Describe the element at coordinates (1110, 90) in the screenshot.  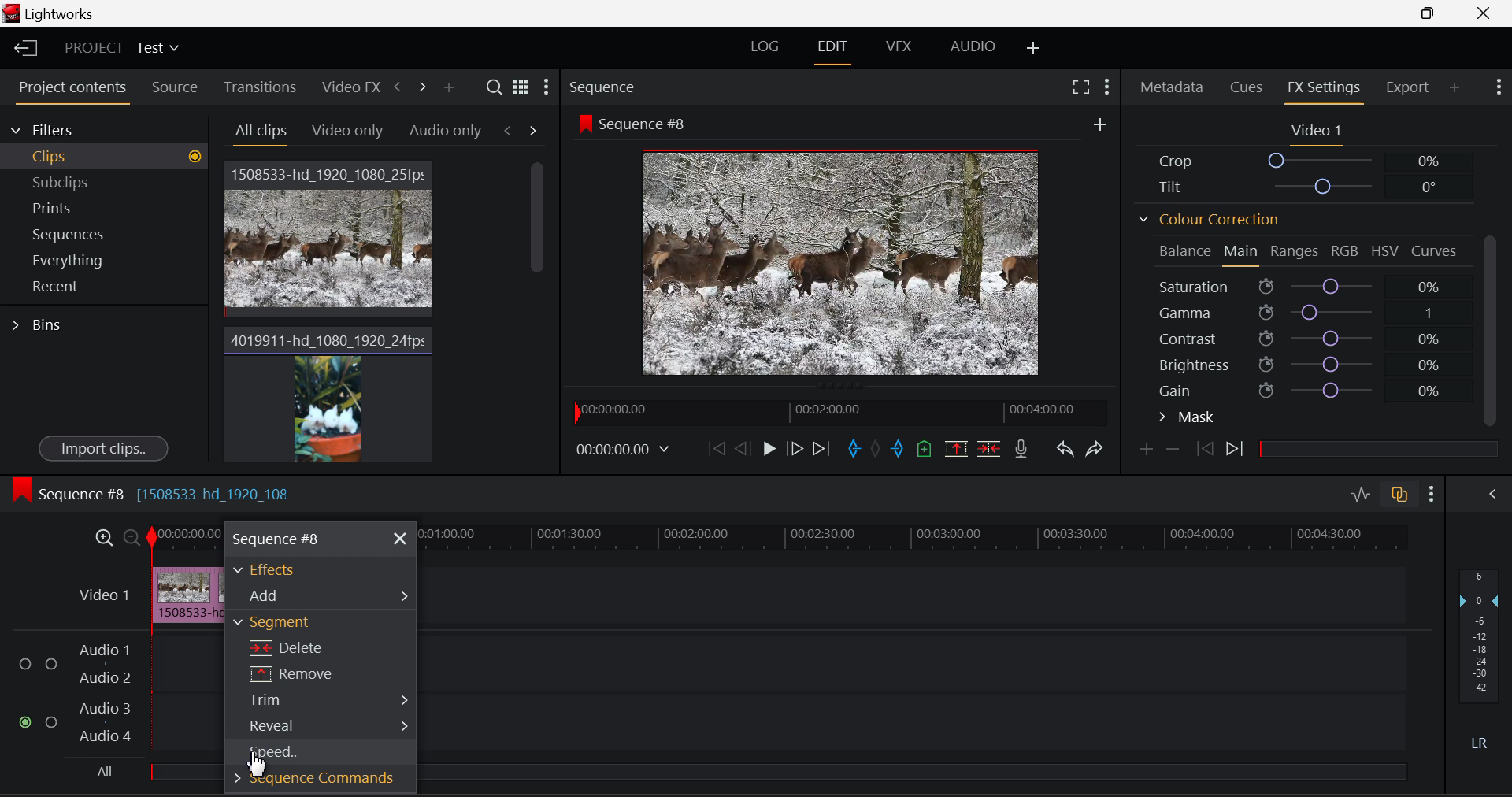
I see `Show Settings Menu` at that location.